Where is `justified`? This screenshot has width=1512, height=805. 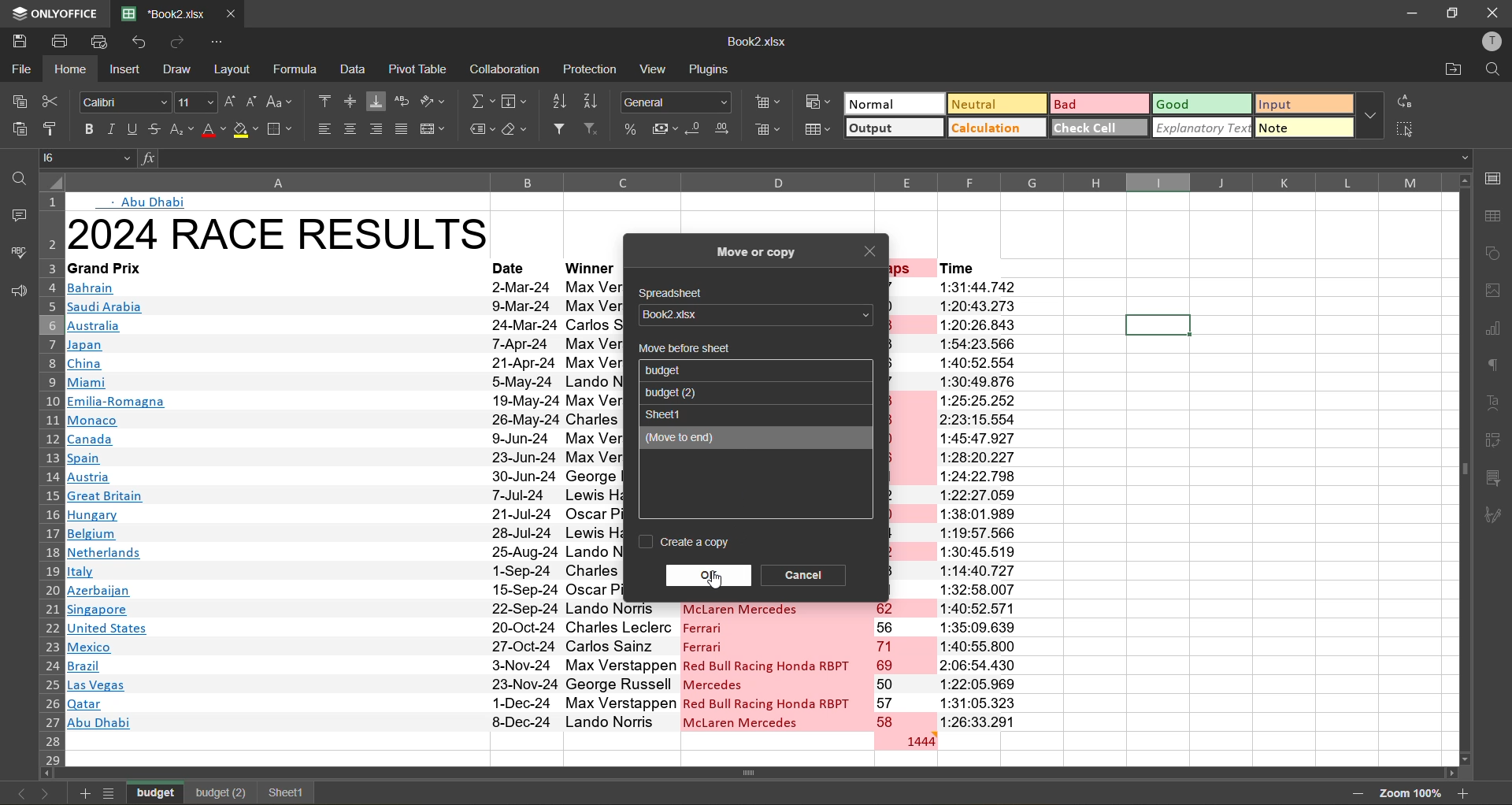
justified is located at coordinates (403, 129).